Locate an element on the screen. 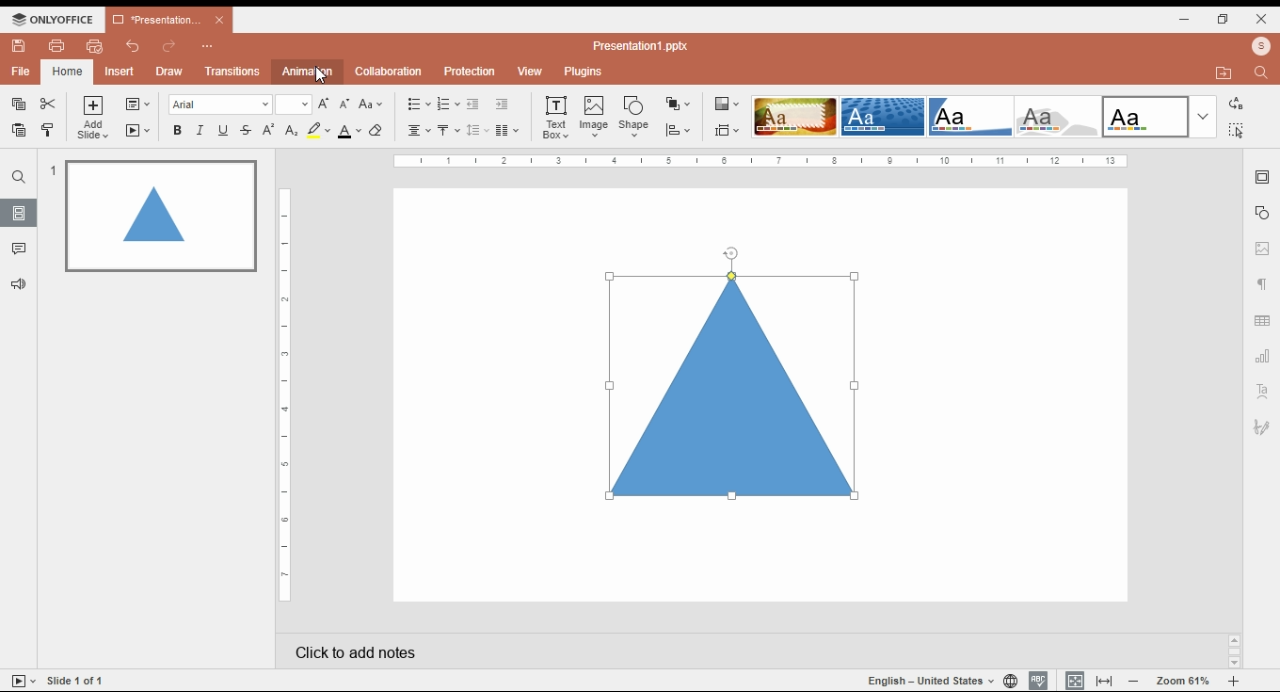 The image size is (1280, 692). add slide is located at coordinates (93, 118).